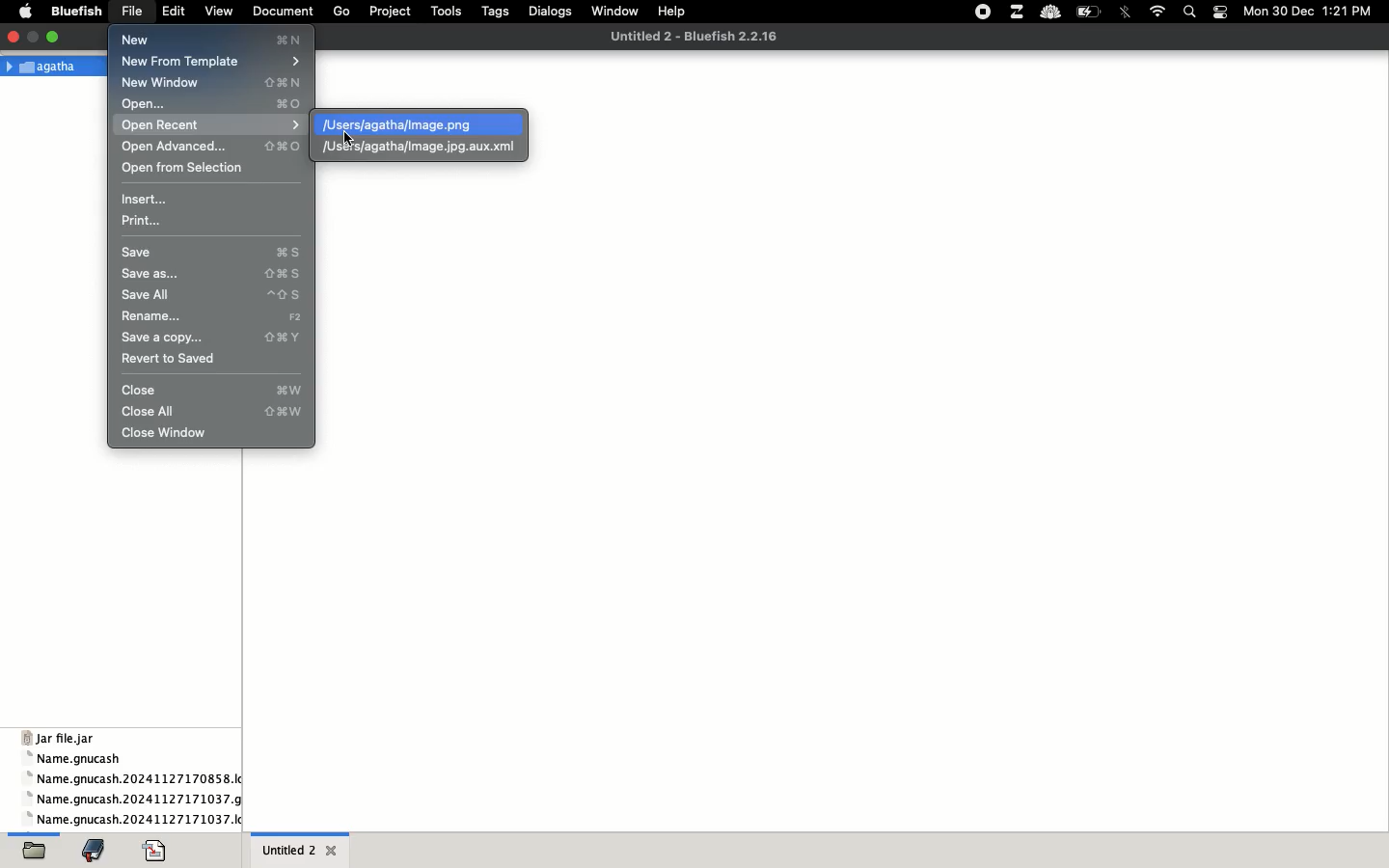 Image resolution: width=1389 pixels, height=868 pixels. I want to click on bluefish, so click(76, 12).